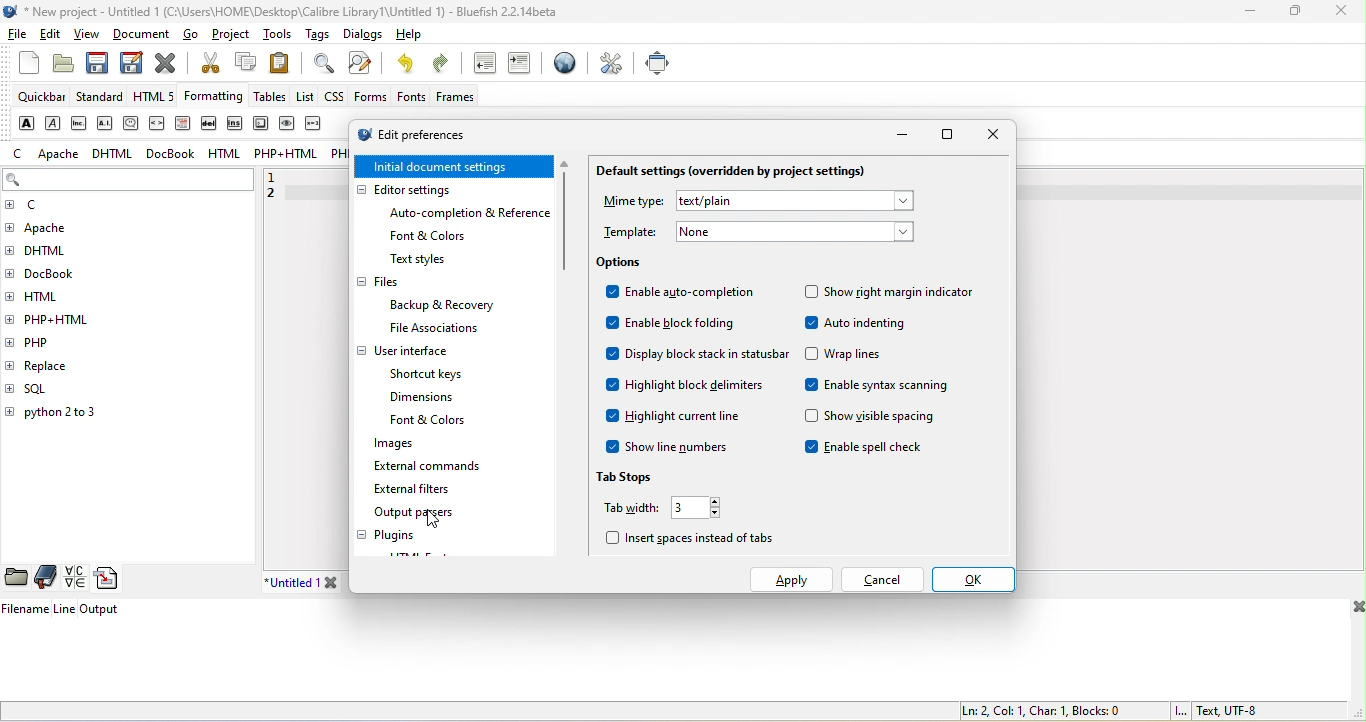 This screenshot has width=1366, height=722. What do you see at coordinates (1296, 13) in the screenshot?
I see `maximize` at bounding box center [1296, 13].